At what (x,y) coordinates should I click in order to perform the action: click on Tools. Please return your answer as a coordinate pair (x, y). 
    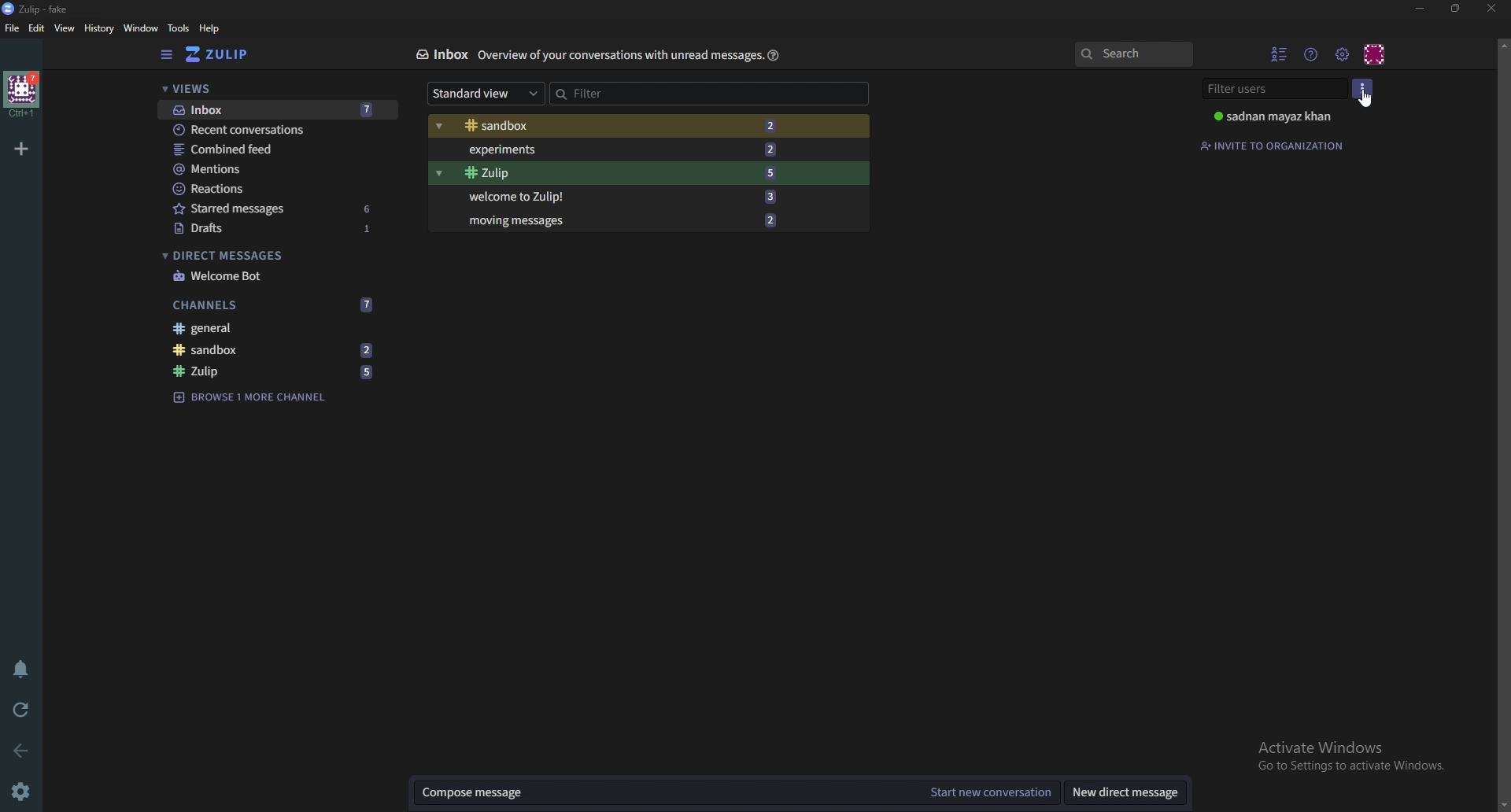
    Looking at the image, I should click on (179, 28).